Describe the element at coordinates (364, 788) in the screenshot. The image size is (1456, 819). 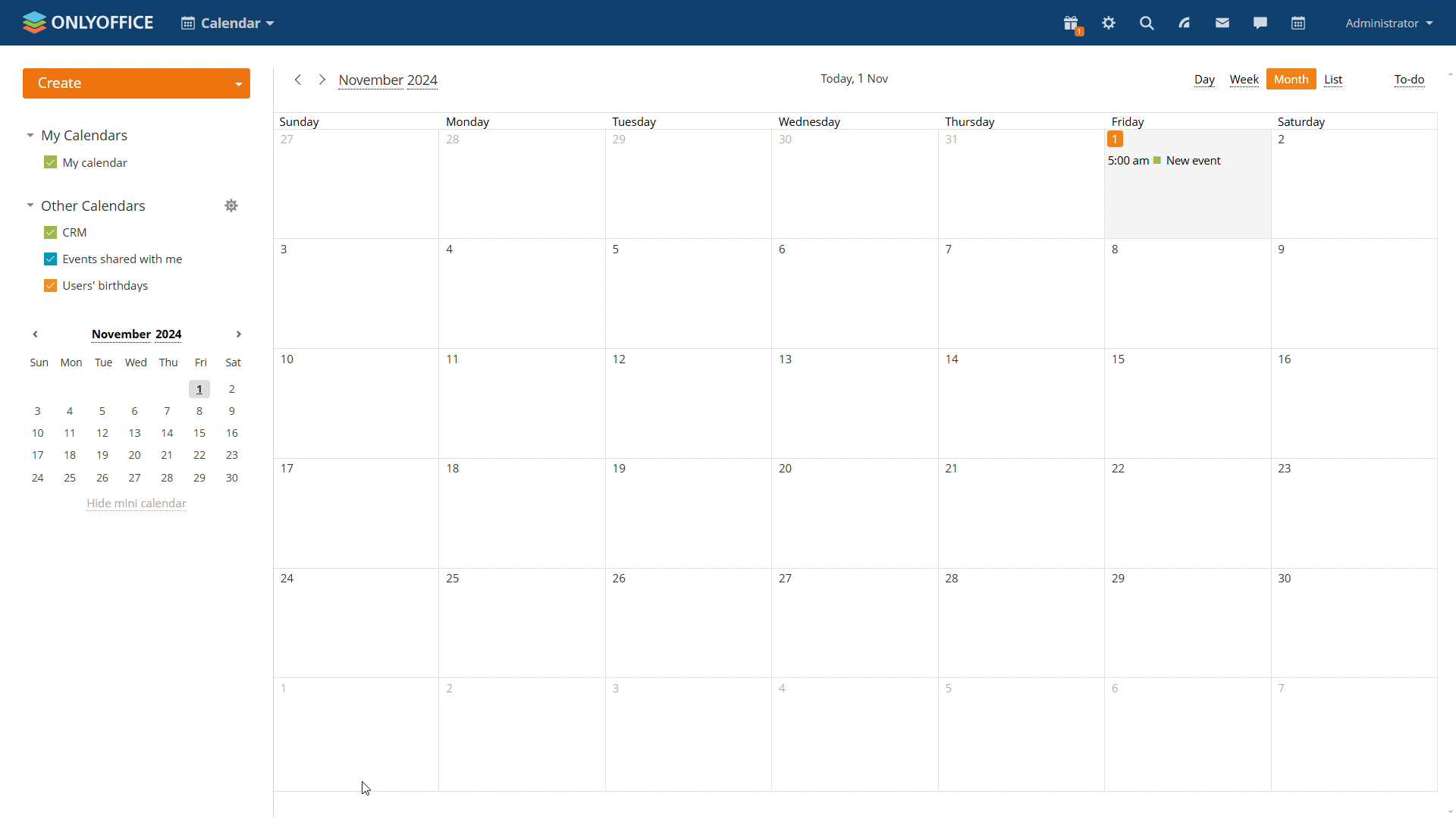
I see `cursor` at that location.